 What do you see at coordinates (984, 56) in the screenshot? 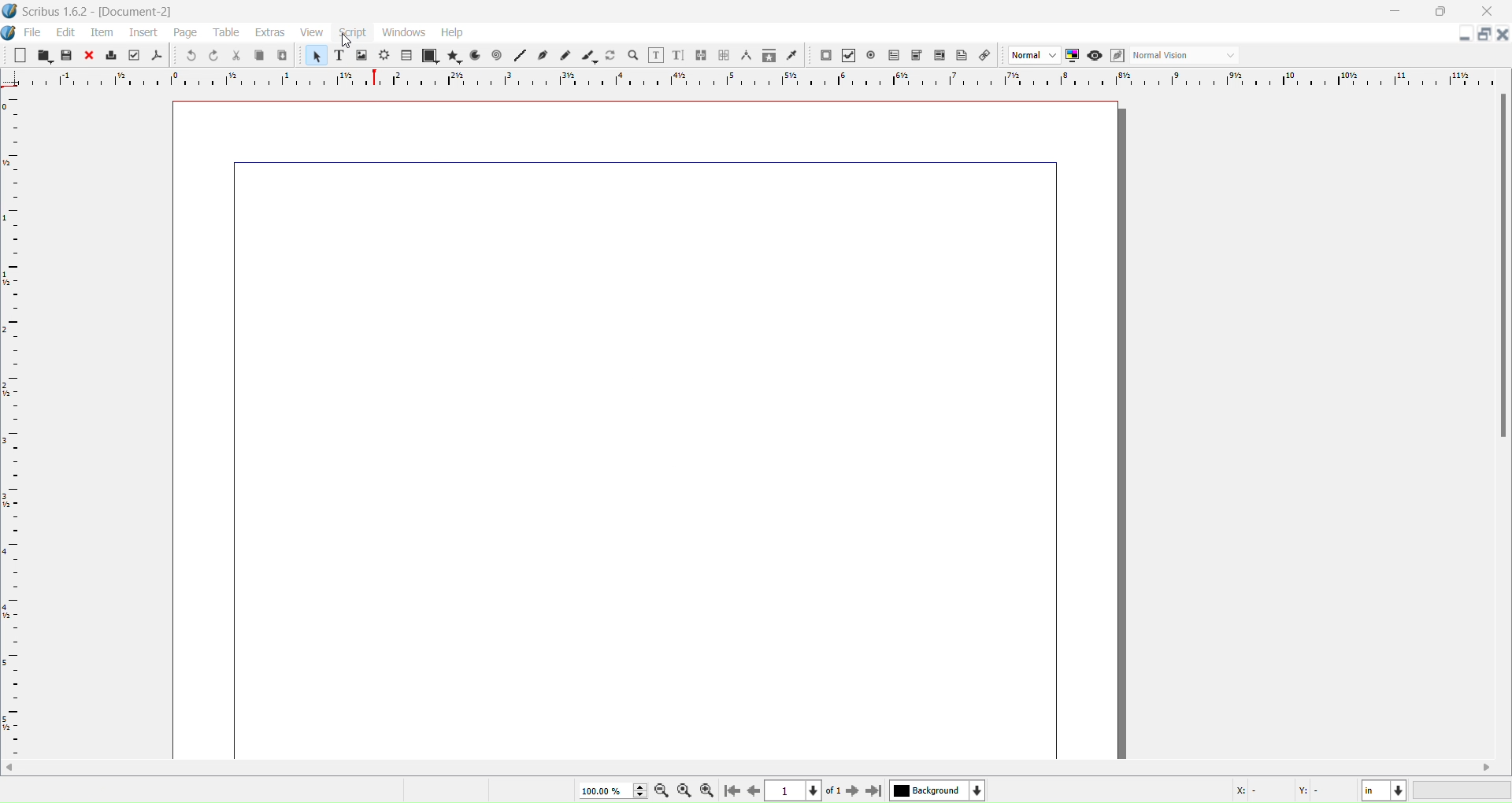
I see `Link Annotations` at bounding box center [984, 56].